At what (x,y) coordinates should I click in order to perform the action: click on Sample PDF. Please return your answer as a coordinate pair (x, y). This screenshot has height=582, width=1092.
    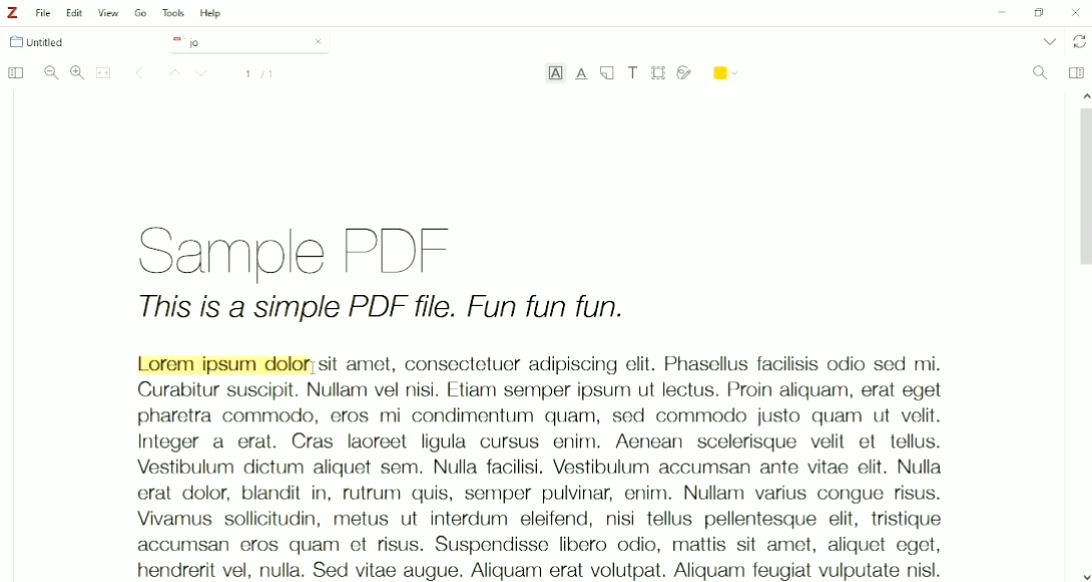
    Looking at the image, I should click on (318, 248).